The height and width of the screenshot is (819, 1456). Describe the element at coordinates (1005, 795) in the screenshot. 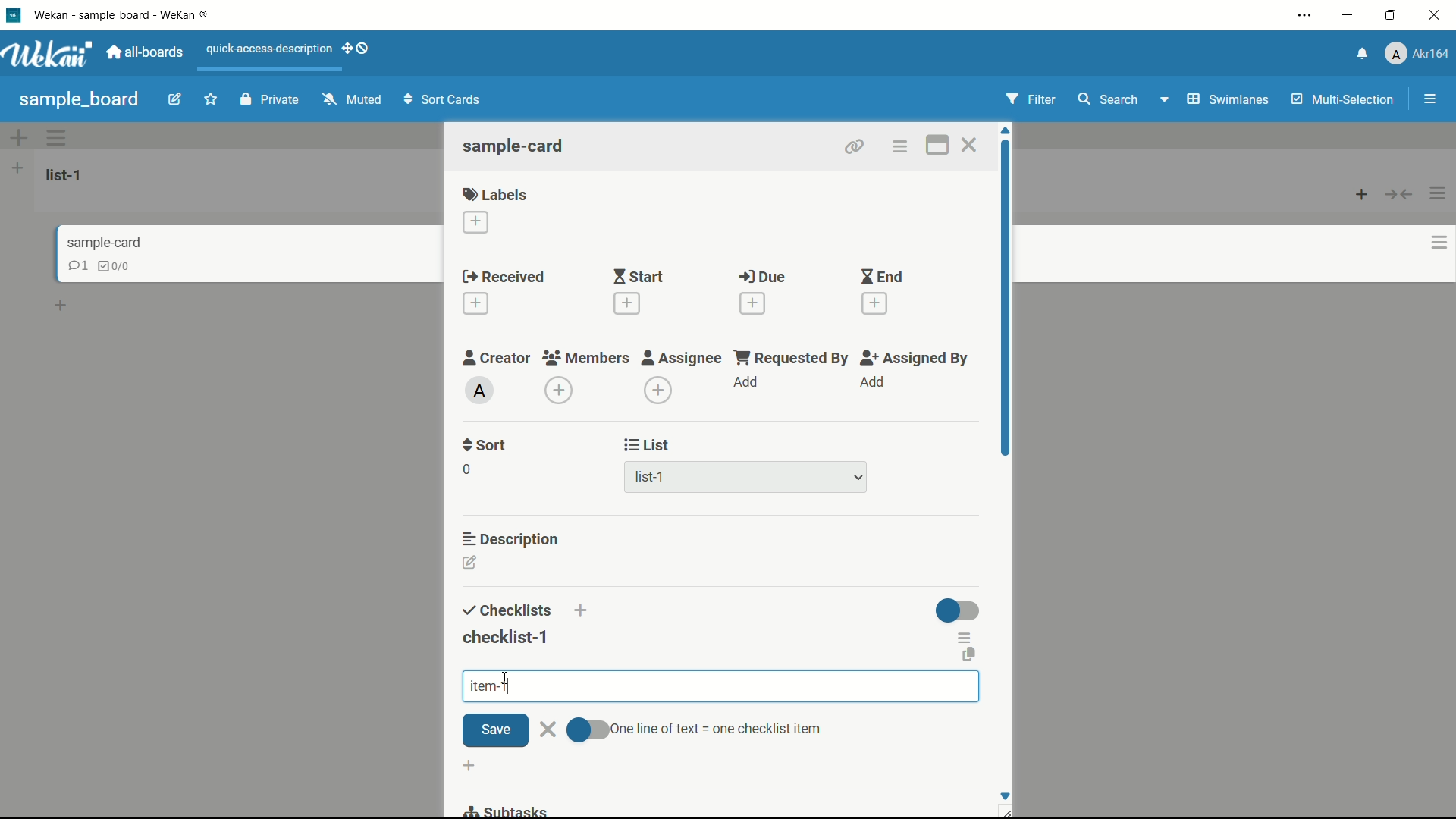

I see `Scroll down` at that location.